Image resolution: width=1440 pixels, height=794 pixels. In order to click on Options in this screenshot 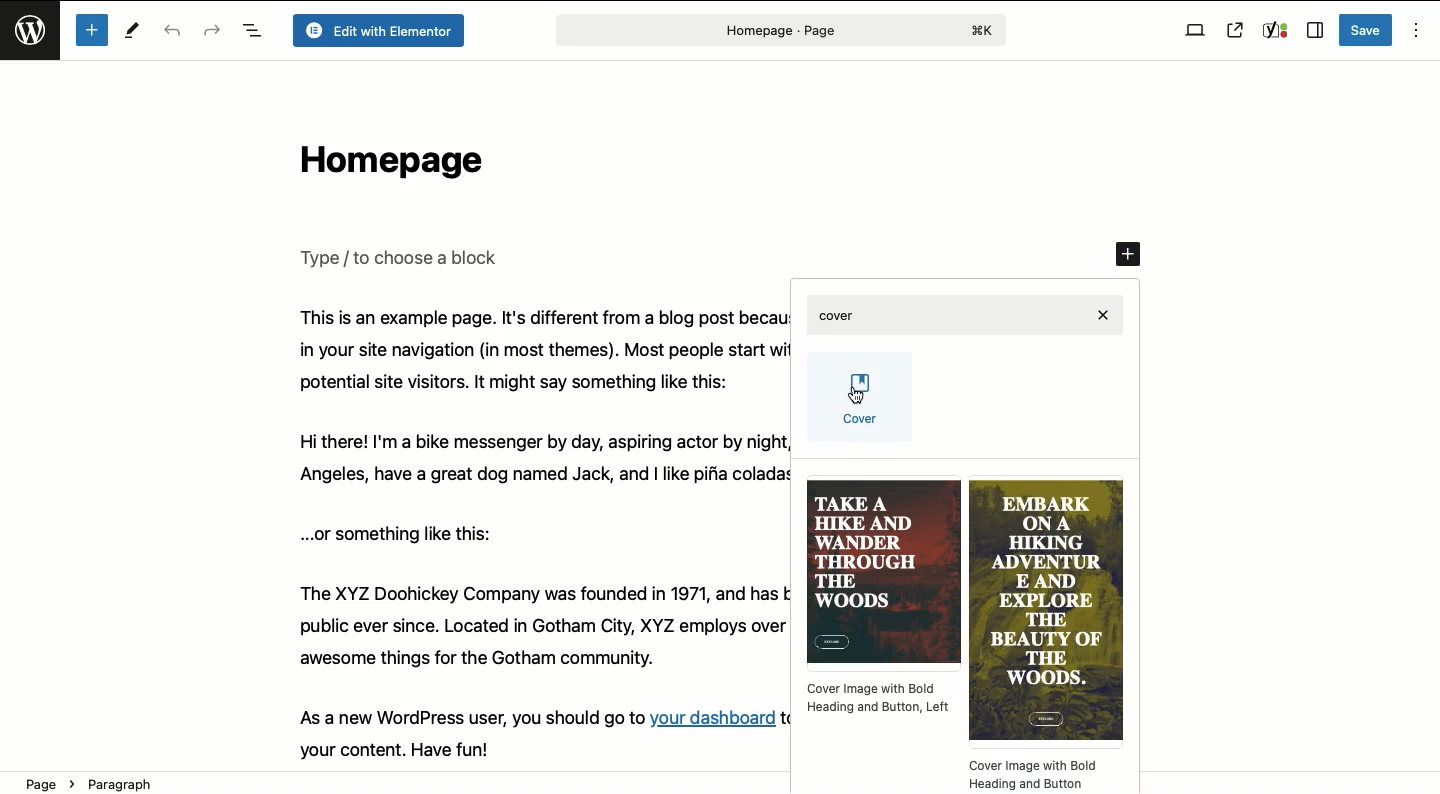, I will do `click(1414, 31)`.